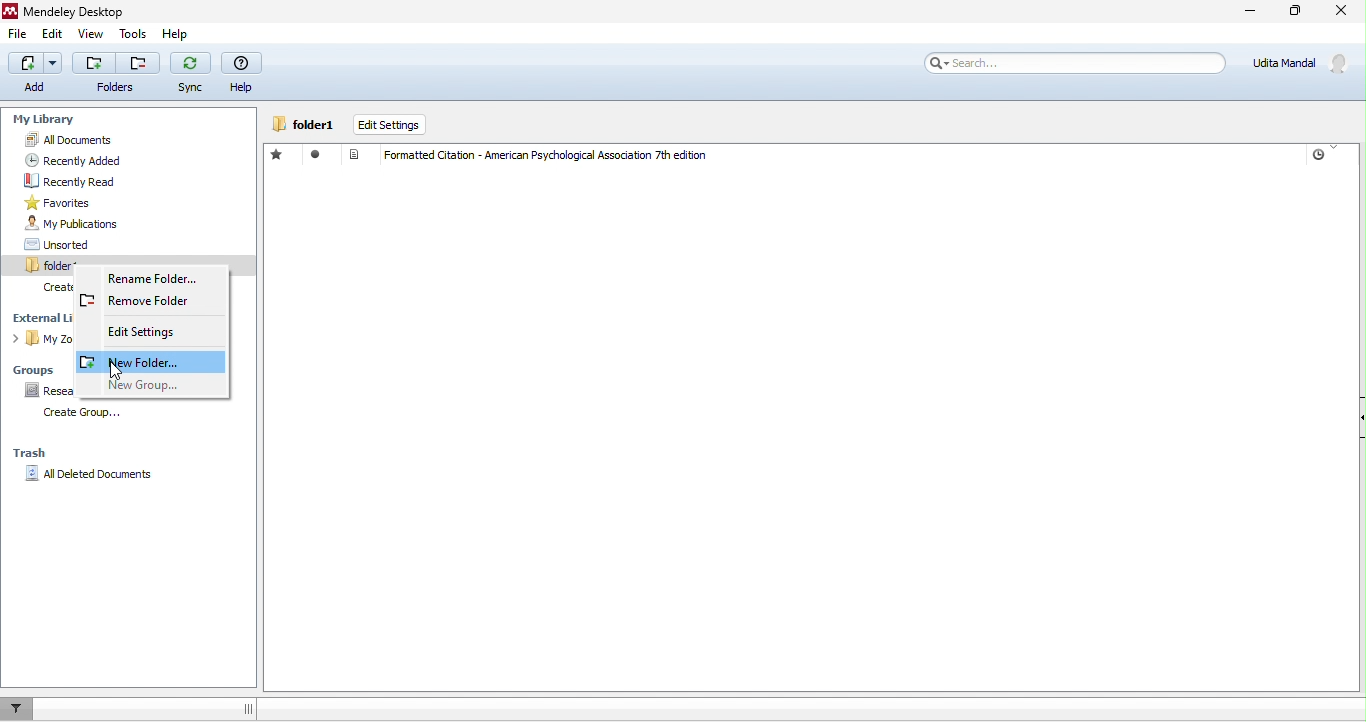  Describe the element at coordinates (308, 124) in the screenshot. I see `folder1` at that location.